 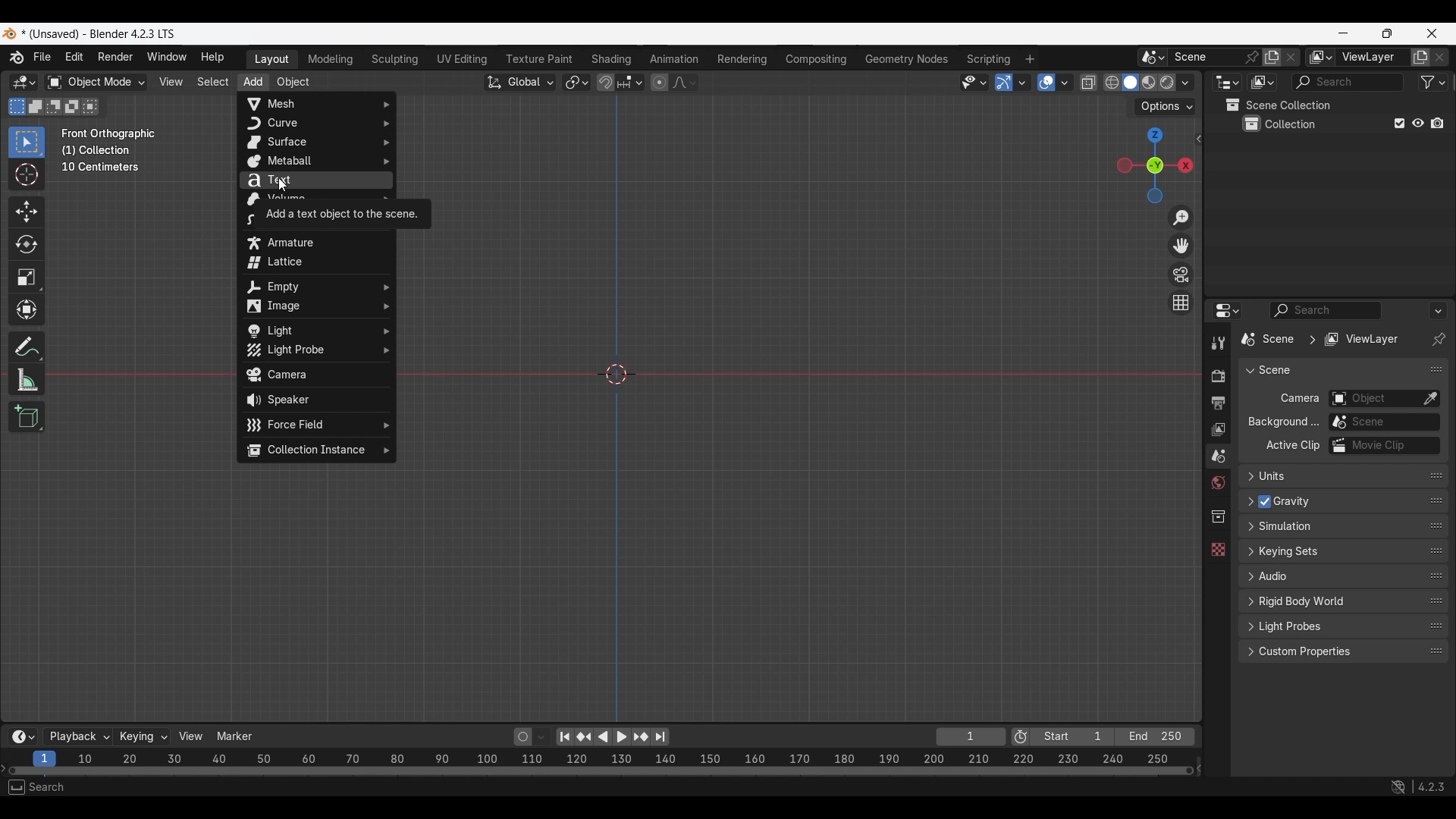 What do you see at coordinates (167, 58) in the screenshot?
I see `Window menu` at bounding box center [167, 58].